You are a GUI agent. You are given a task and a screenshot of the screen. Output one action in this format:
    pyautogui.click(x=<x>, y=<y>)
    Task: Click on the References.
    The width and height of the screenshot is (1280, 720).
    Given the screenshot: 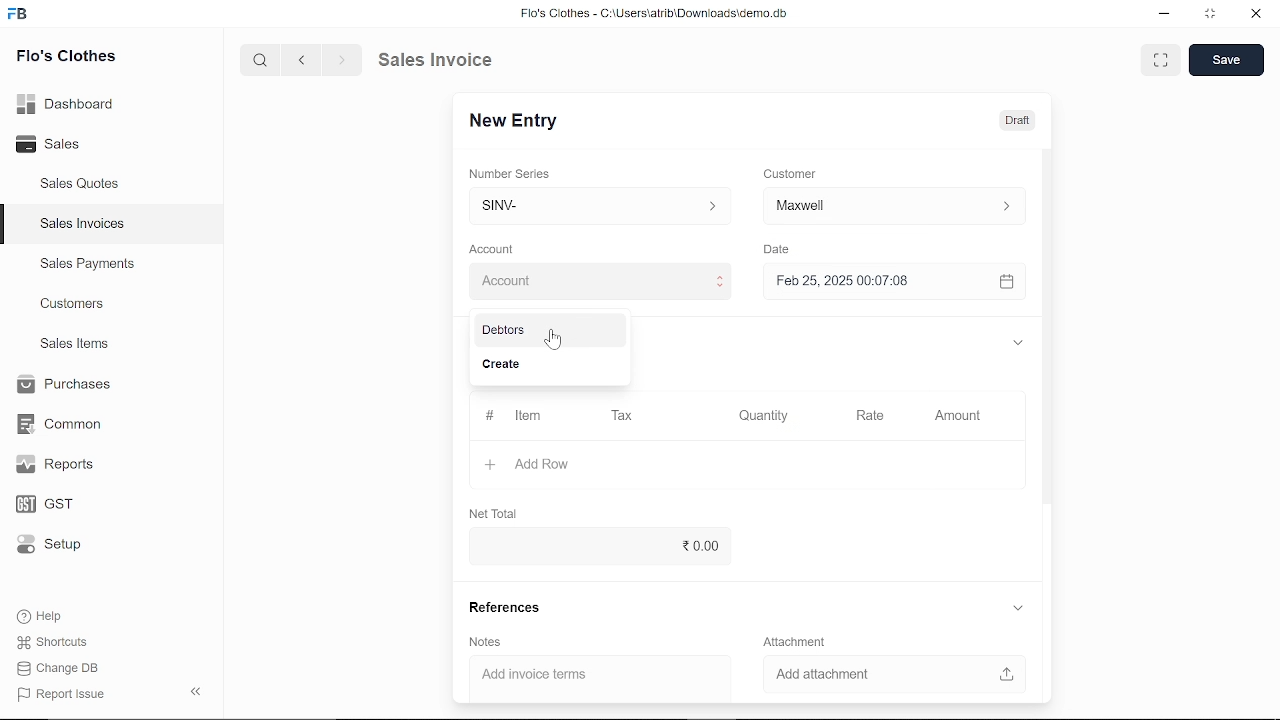 What is the action you would take?
    pyautogui.click(x=506, y=610)
    